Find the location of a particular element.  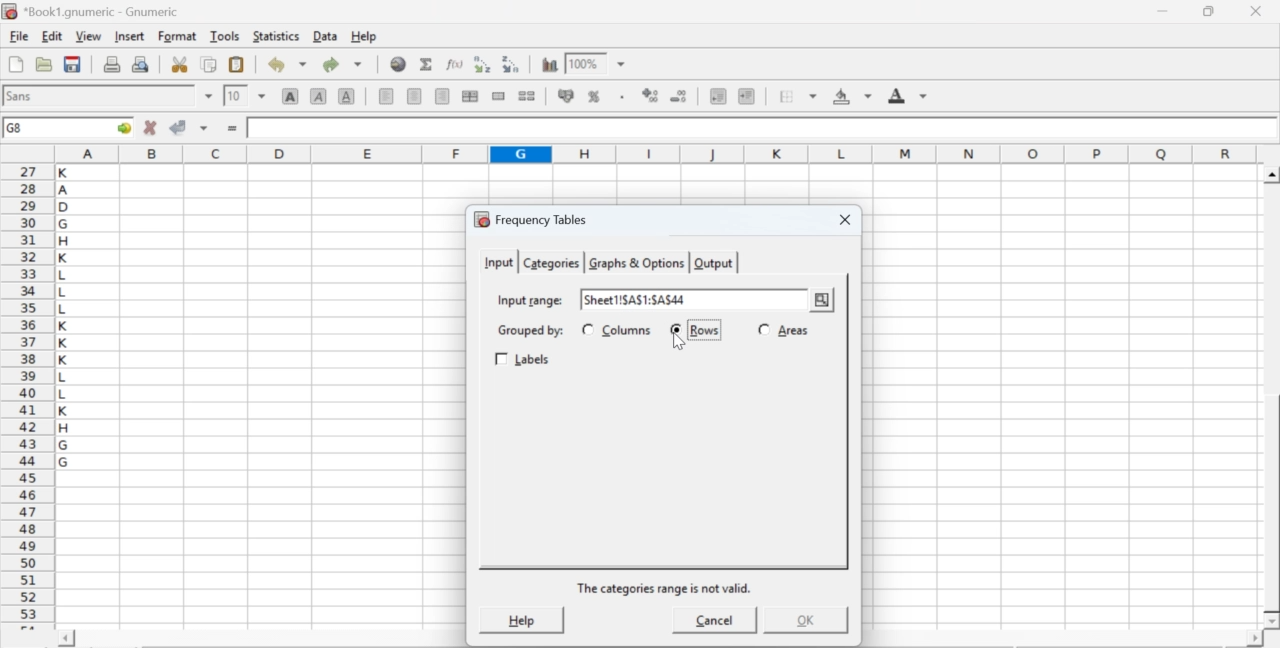

undo is located at coordinates (286, 65).